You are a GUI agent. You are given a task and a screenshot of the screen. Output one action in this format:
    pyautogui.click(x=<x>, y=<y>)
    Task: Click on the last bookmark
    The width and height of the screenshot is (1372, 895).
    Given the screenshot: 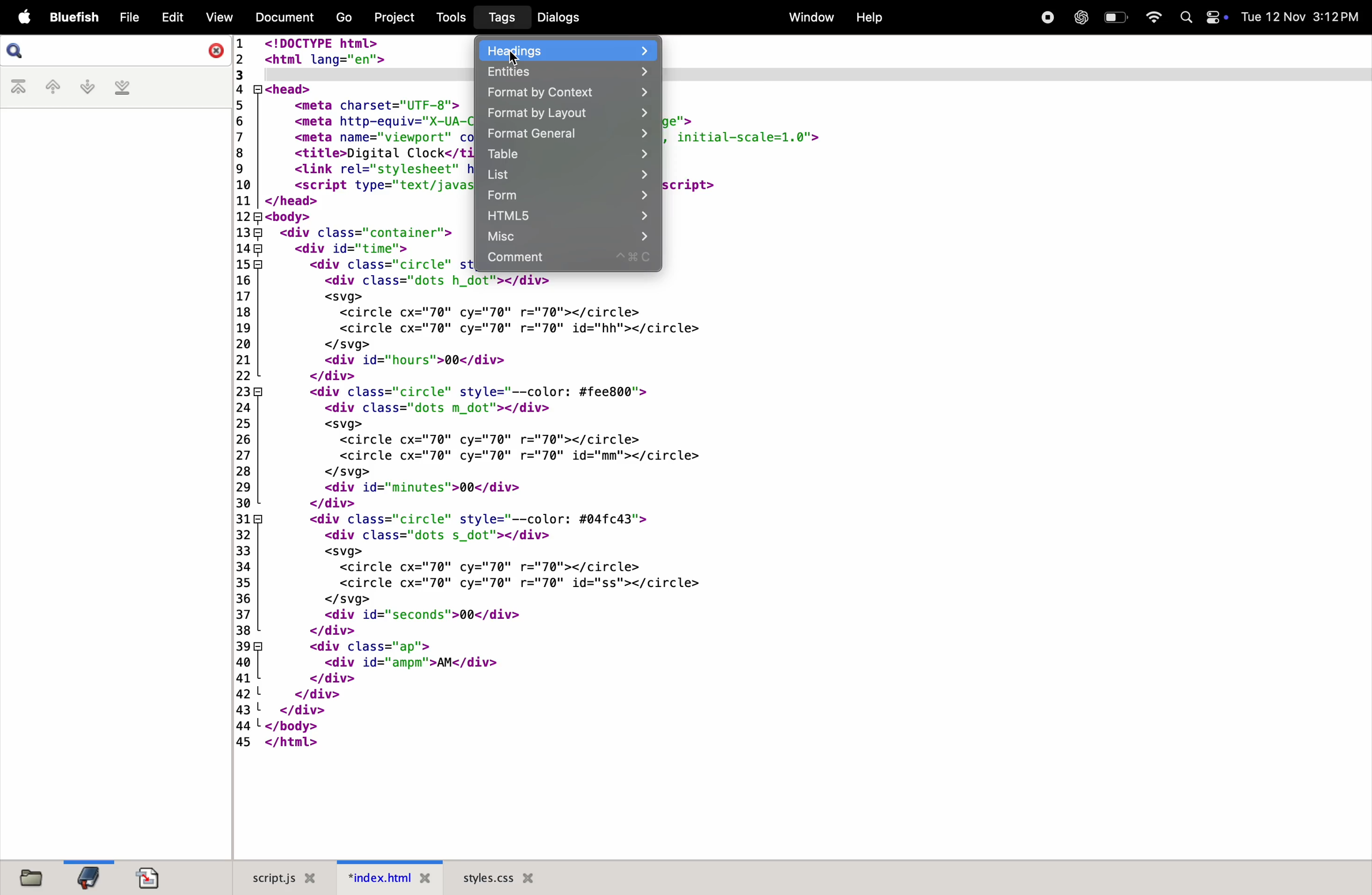 What is the action you would take?
    pyautogui.click(x=122, y=88)
    